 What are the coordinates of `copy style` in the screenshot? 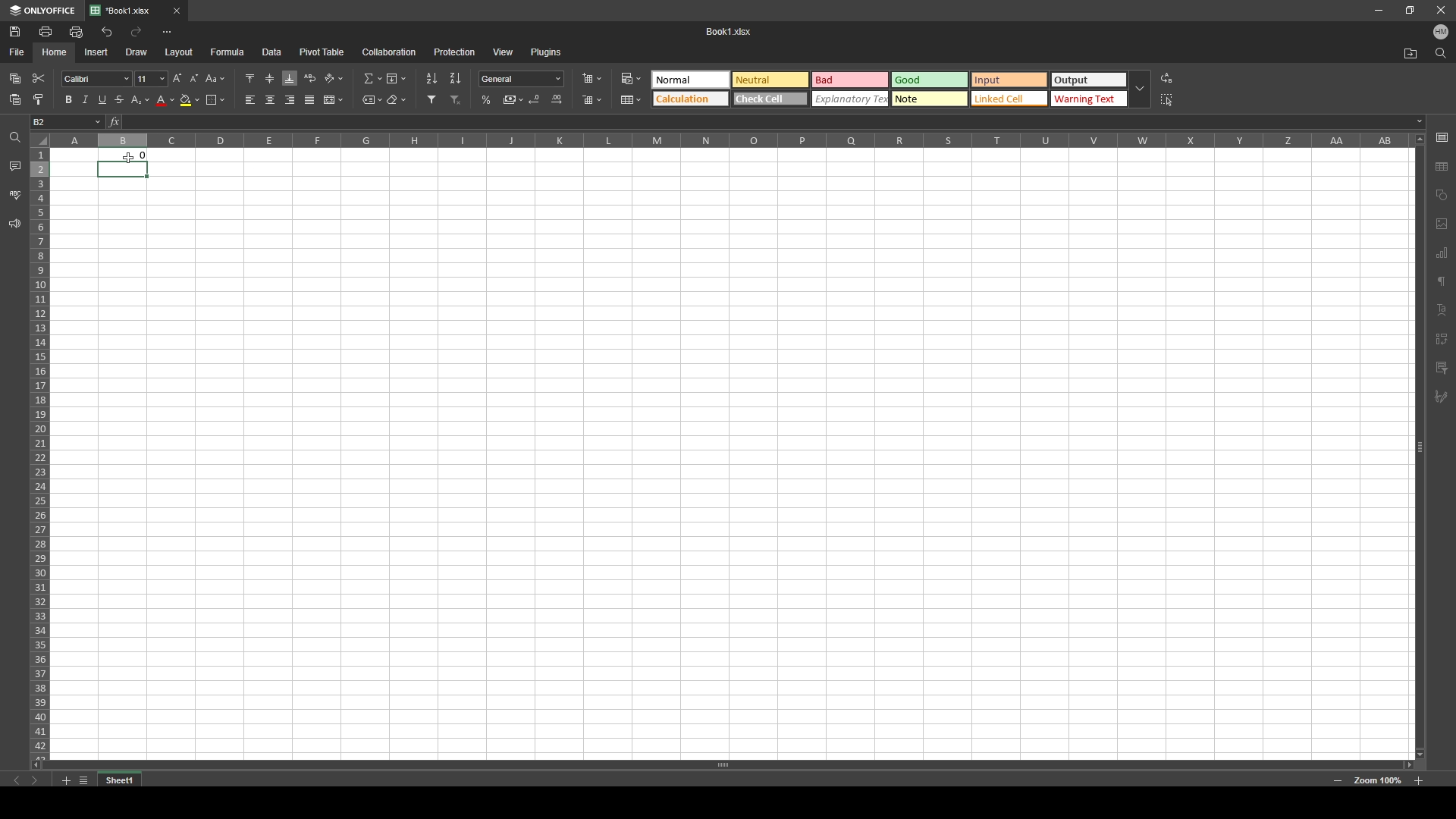 It's located at (38, 99).